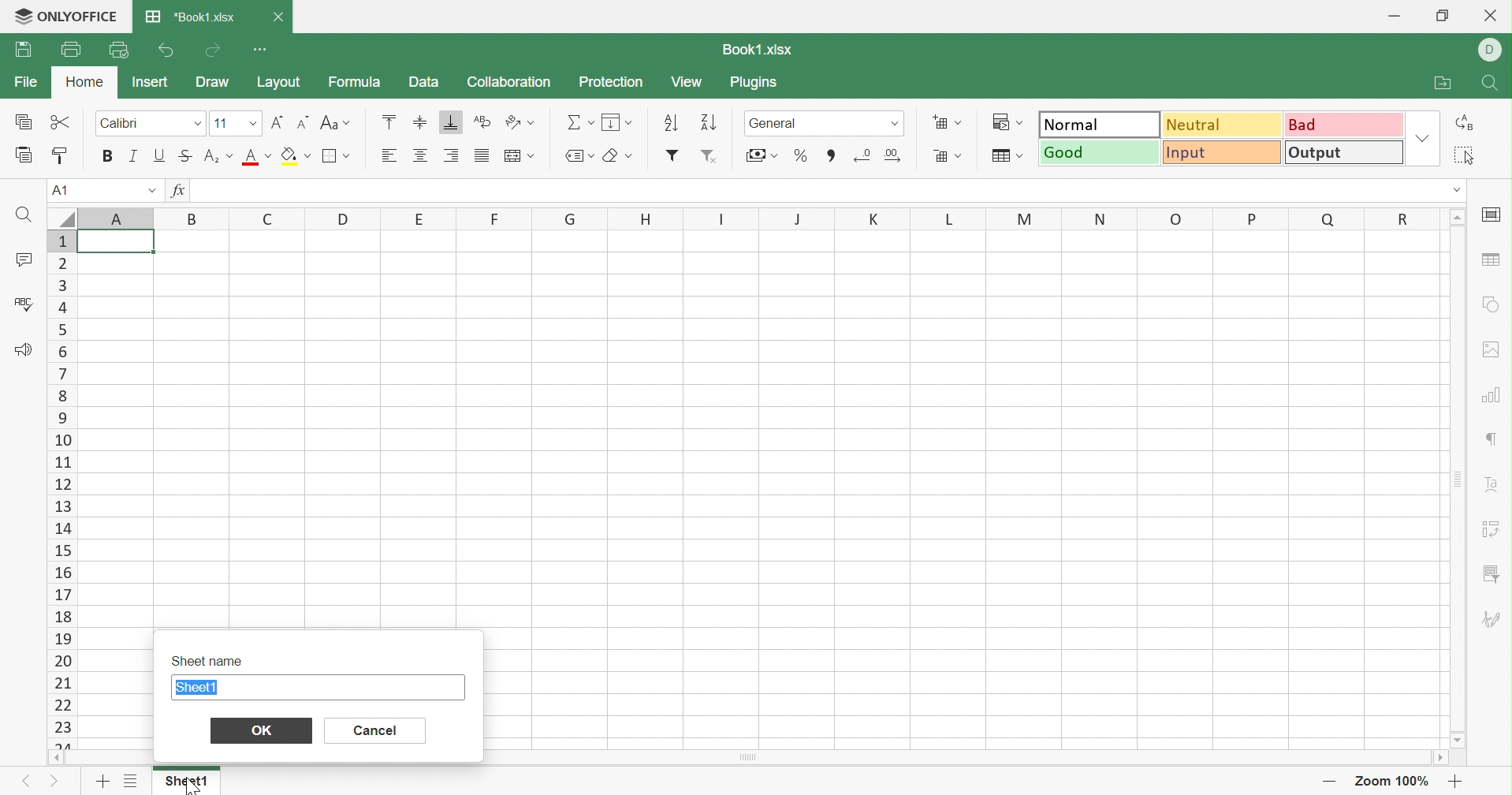  Describe the element at coordinates (1491, 303) in the screenshot. I see `Shape settings` at that location.